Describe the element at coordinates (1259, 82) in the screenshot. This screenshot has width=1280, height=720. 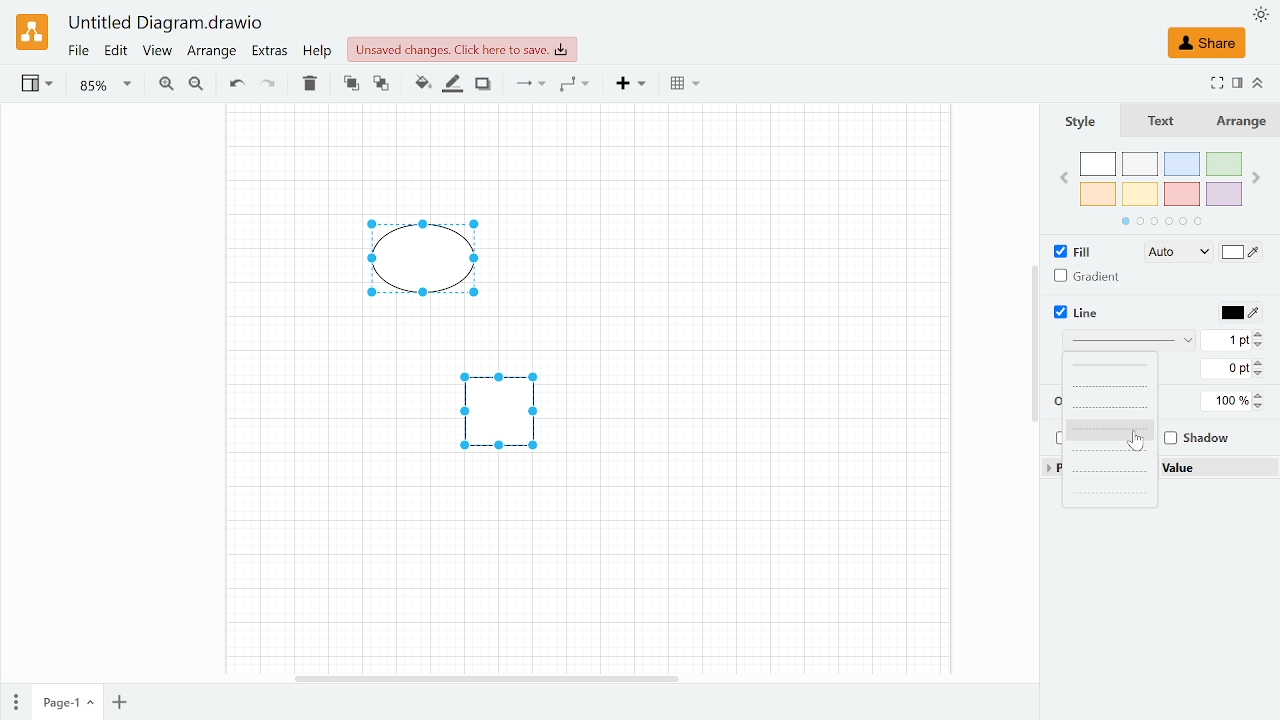
I see `Collapse` at that location.